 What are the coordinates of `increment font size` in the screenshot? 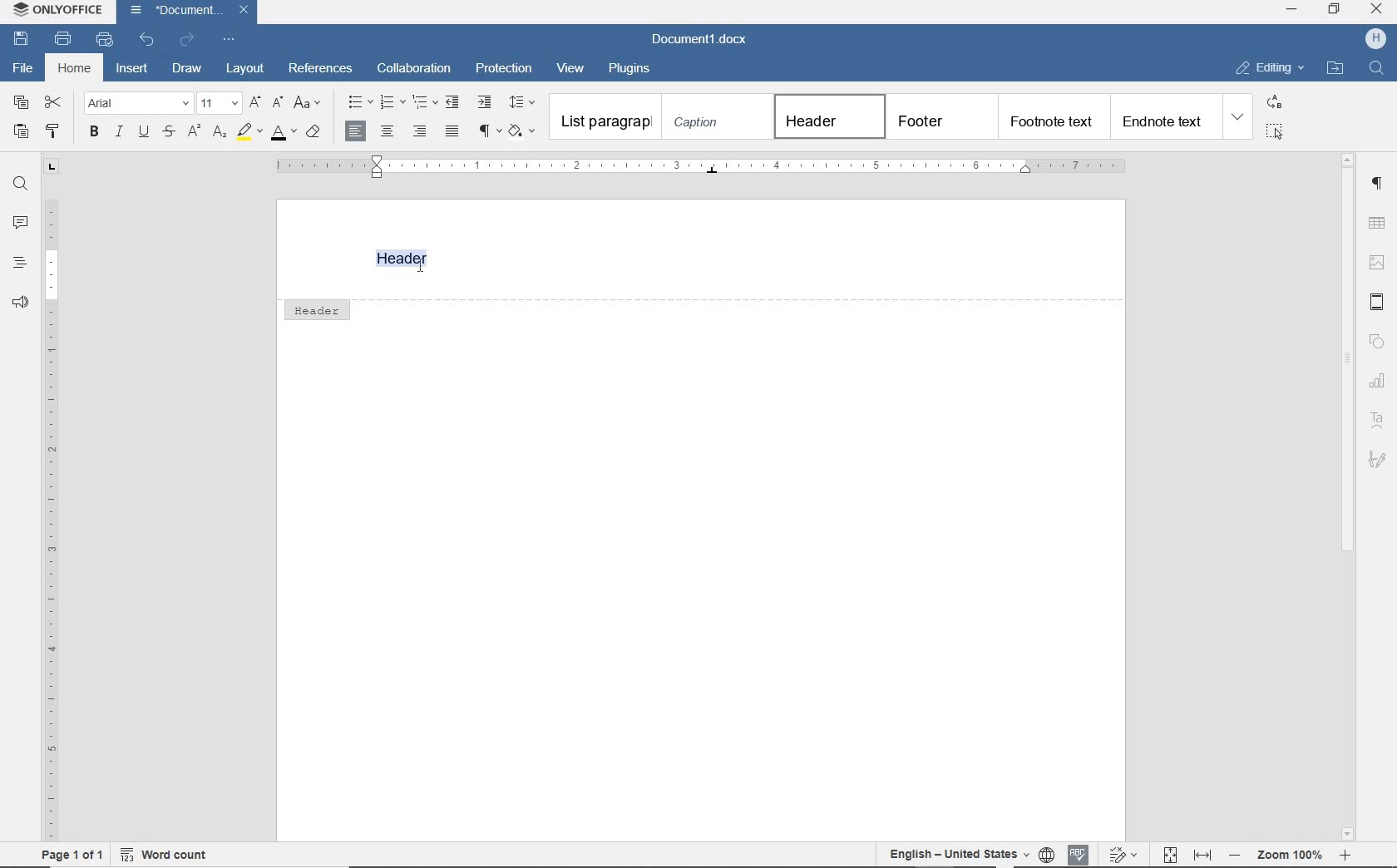 It's located at (257, 103).